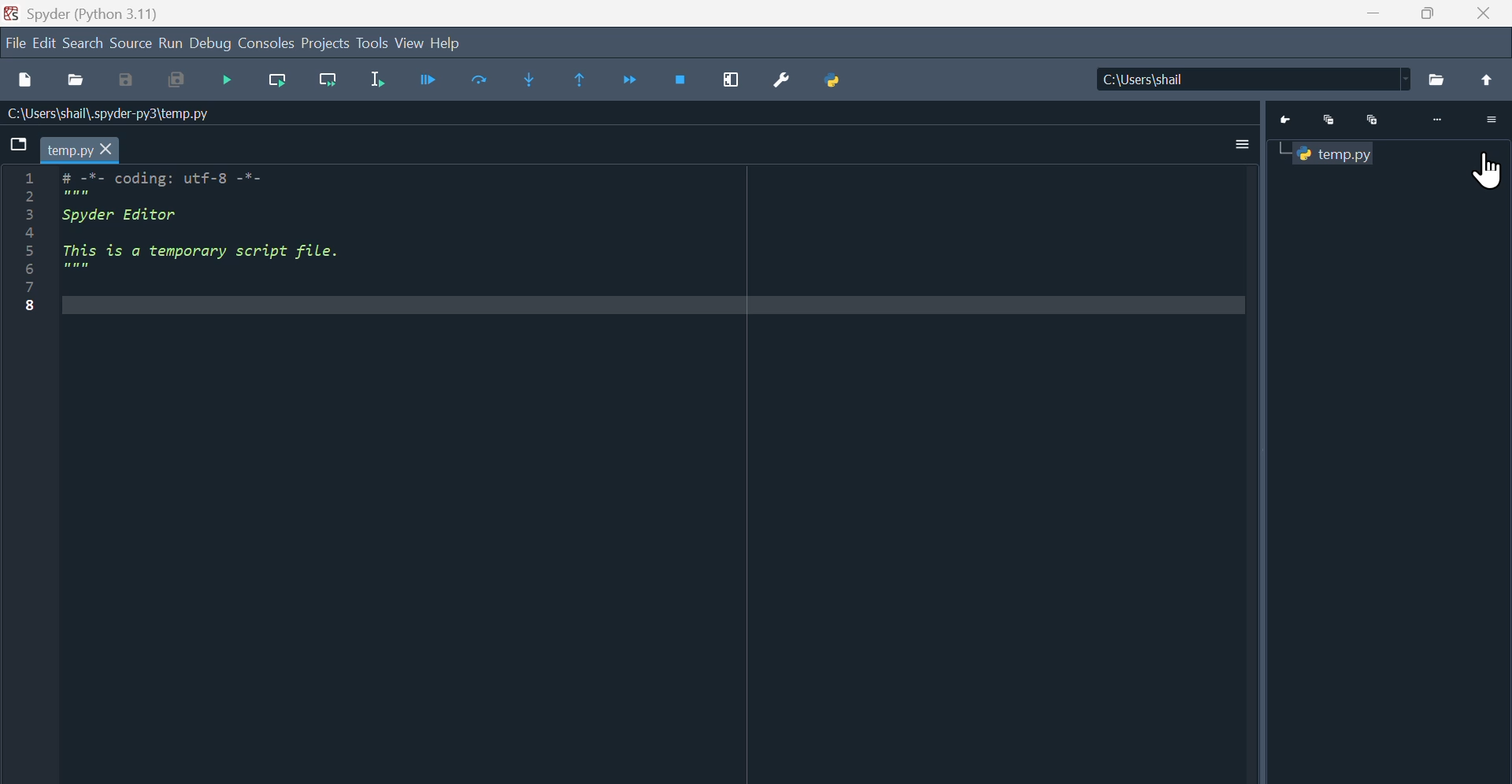 The image size is (1512, 784). Describe the element at coordinates (126, 83) in the screenshot. I see `save` at that location.